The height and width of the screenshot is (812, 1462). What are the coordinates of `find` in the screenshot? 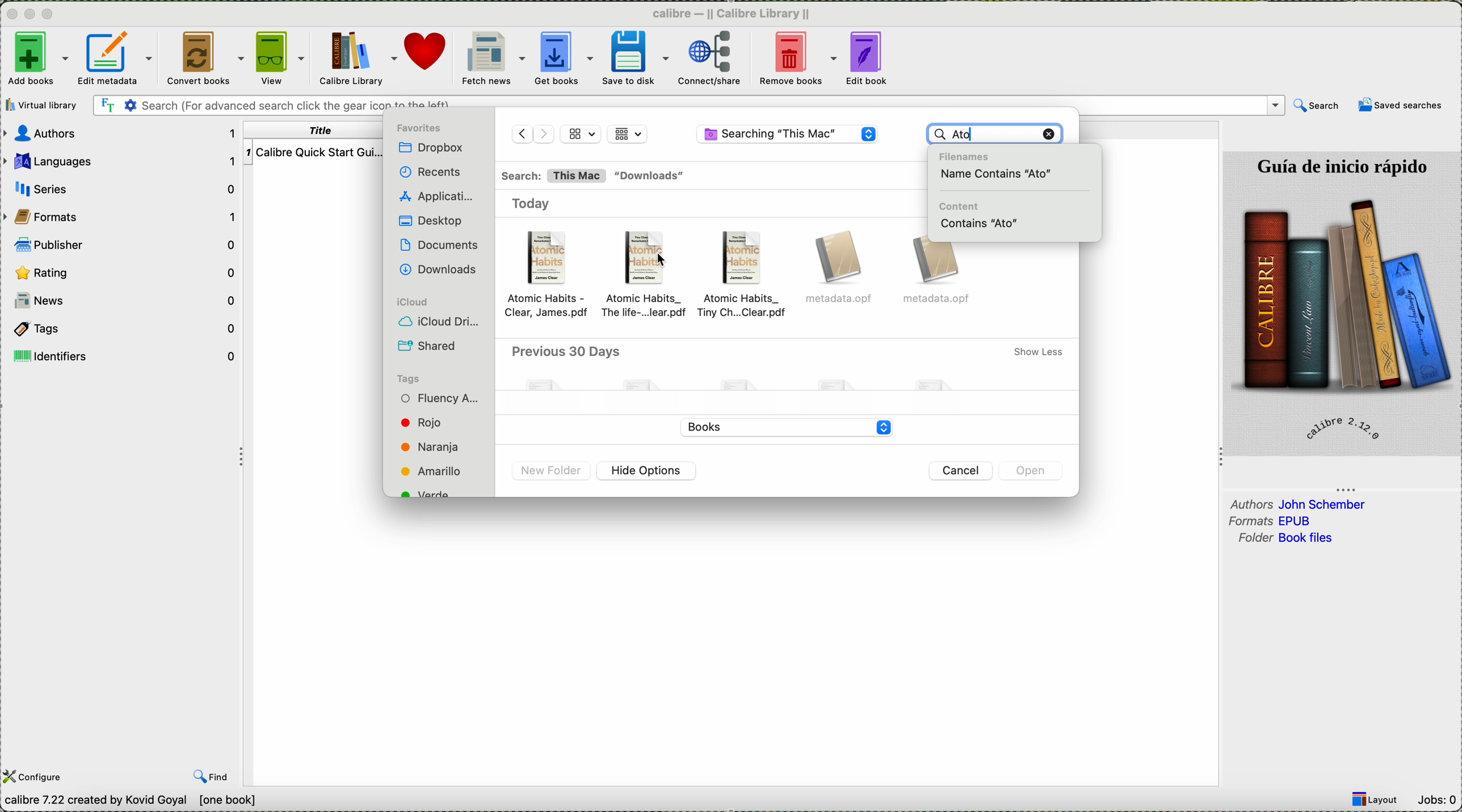 It's located at (211, 776).